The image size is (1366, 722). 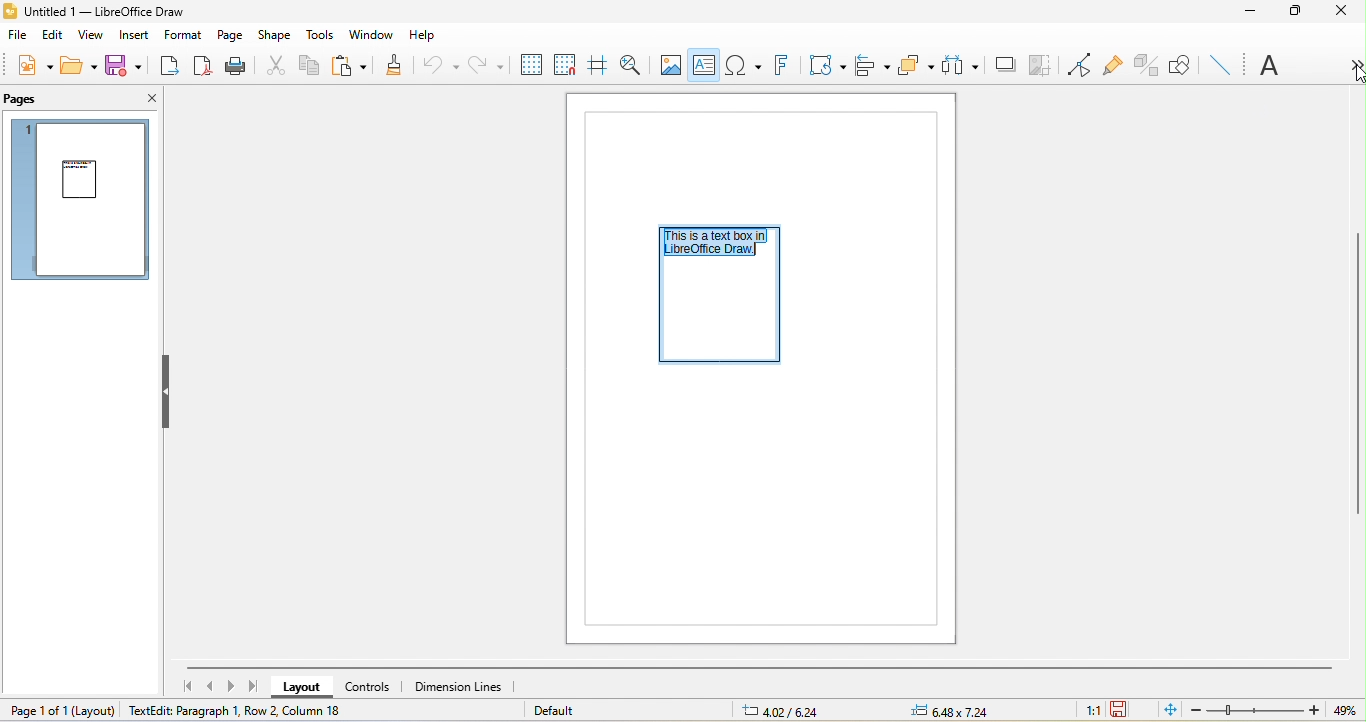 What do you see at coordinates (629, 64) in the screenshot?
I see `zoom and pan` at bounding box center [629, 64].